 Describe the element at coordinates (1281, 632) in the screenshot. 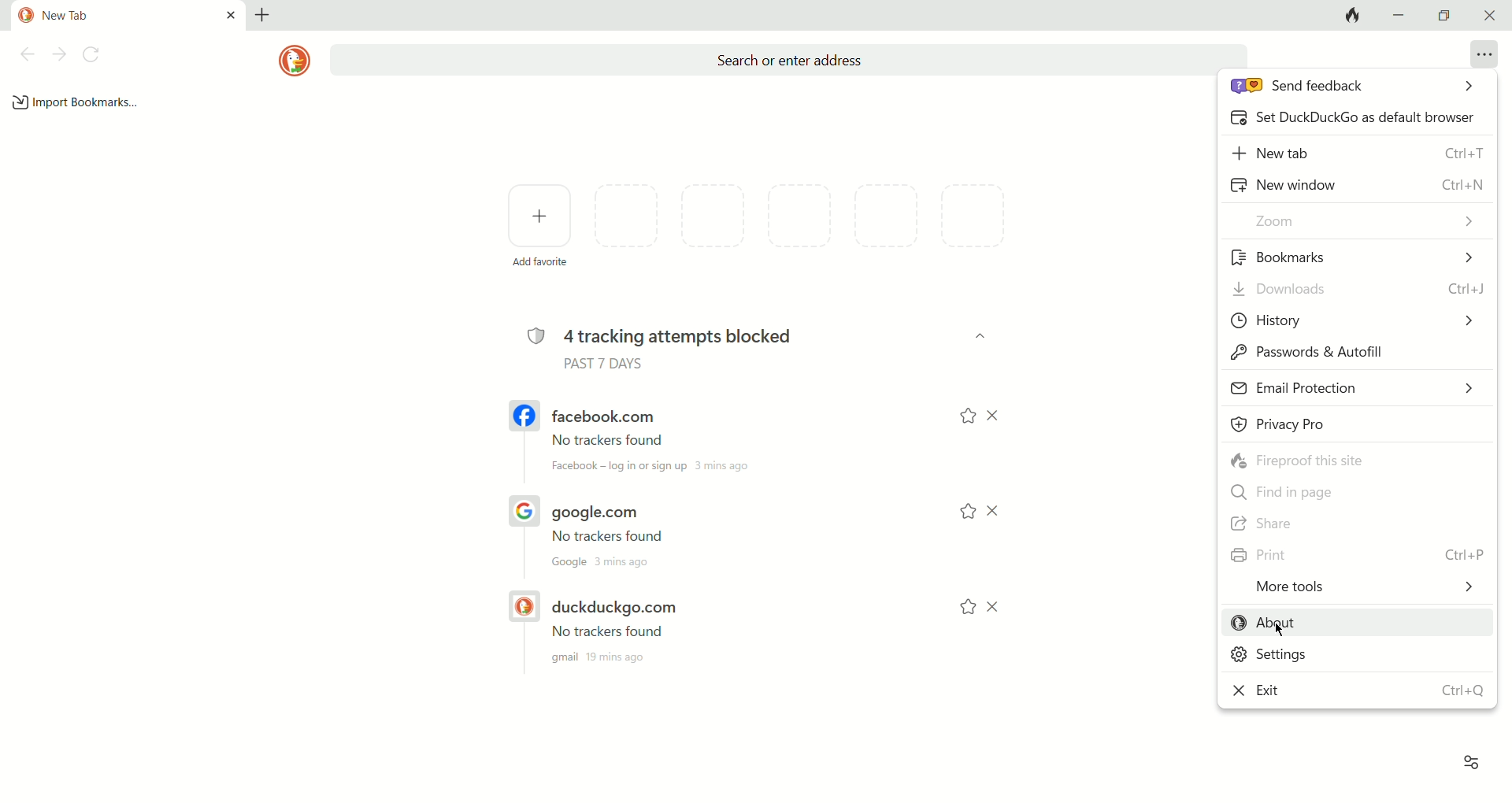

I see `cursor` at that location.